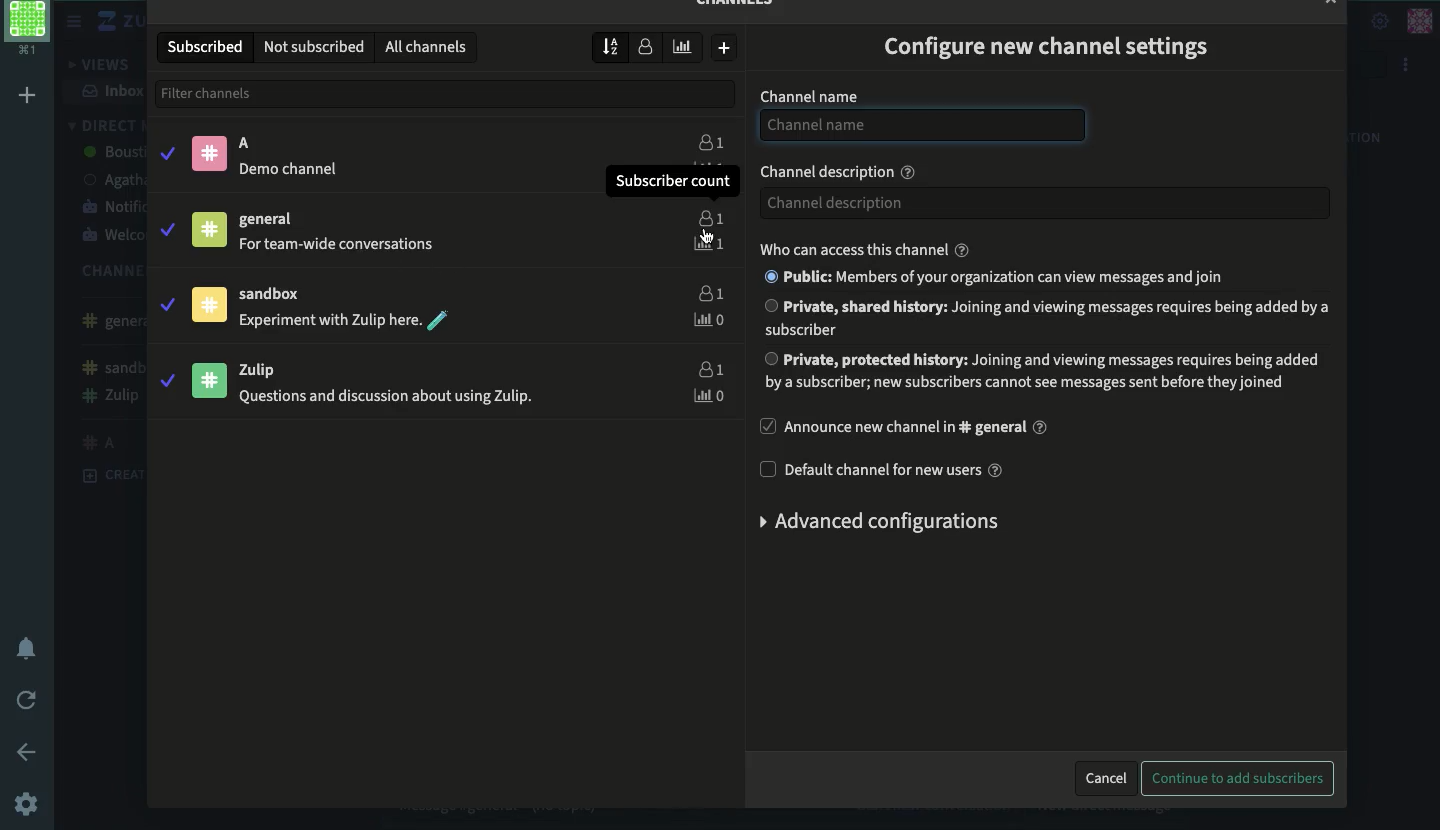 The image size is (1440, 830). What do you see at coordinates (820, 123) in the screenshot?
I see `Channel name` at bounding box center [820, 123].